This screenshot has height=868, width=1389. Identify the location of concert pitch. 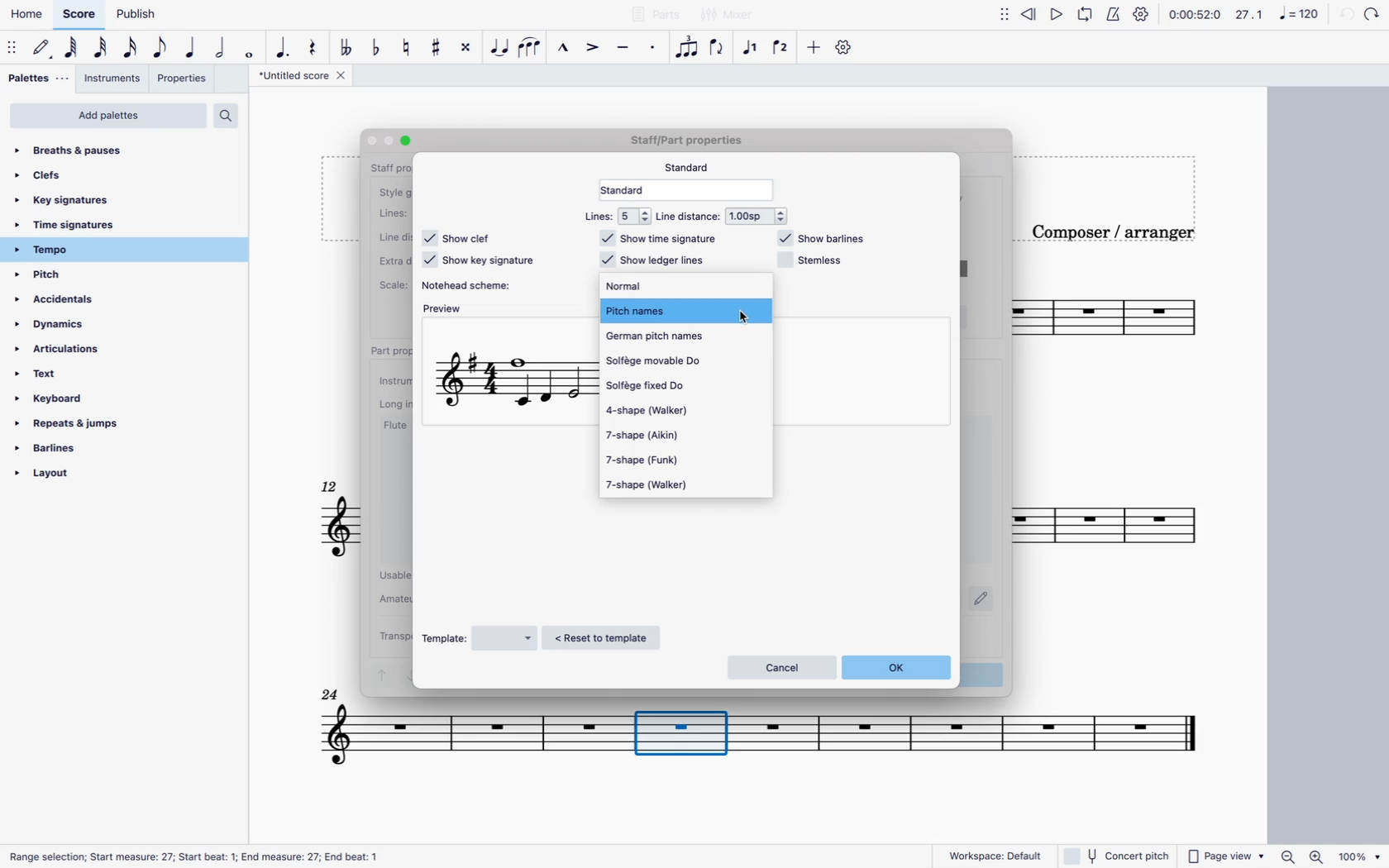
(1119, 856).